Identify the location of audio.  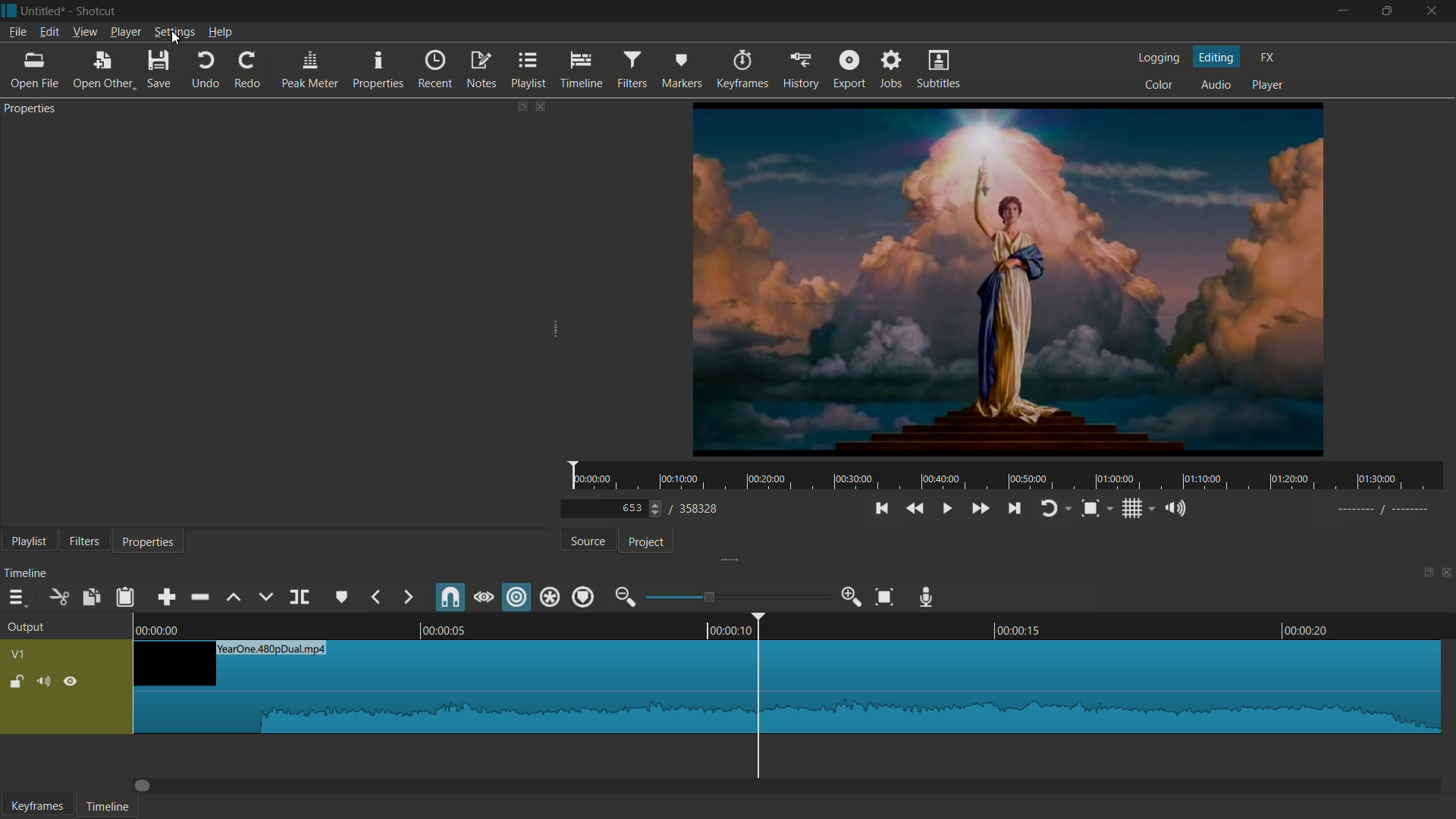
(1214, 84).